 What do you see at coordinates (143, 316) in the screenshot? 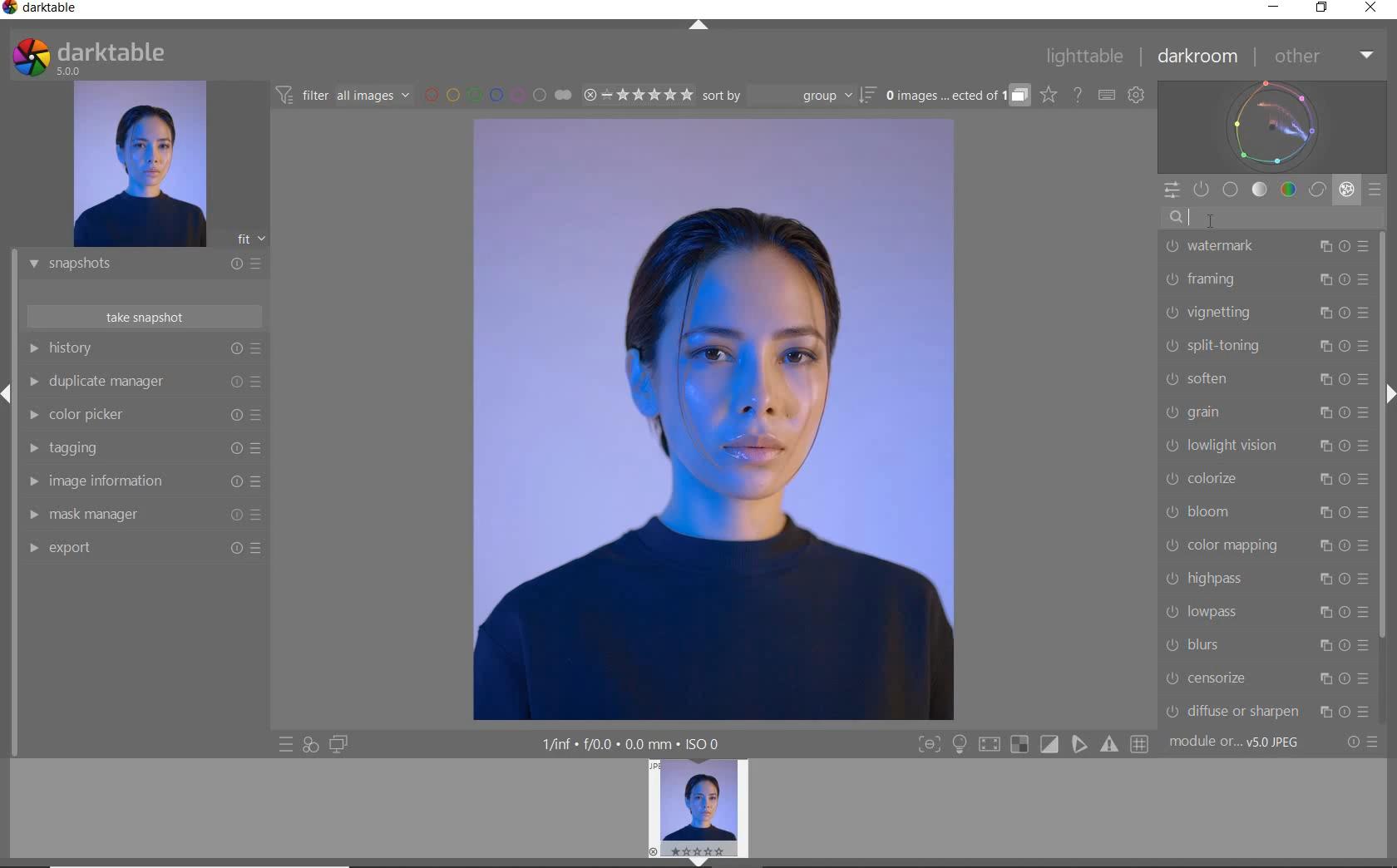
I see `TAKE SNAPSHOT` at bounding box center [143, 316].